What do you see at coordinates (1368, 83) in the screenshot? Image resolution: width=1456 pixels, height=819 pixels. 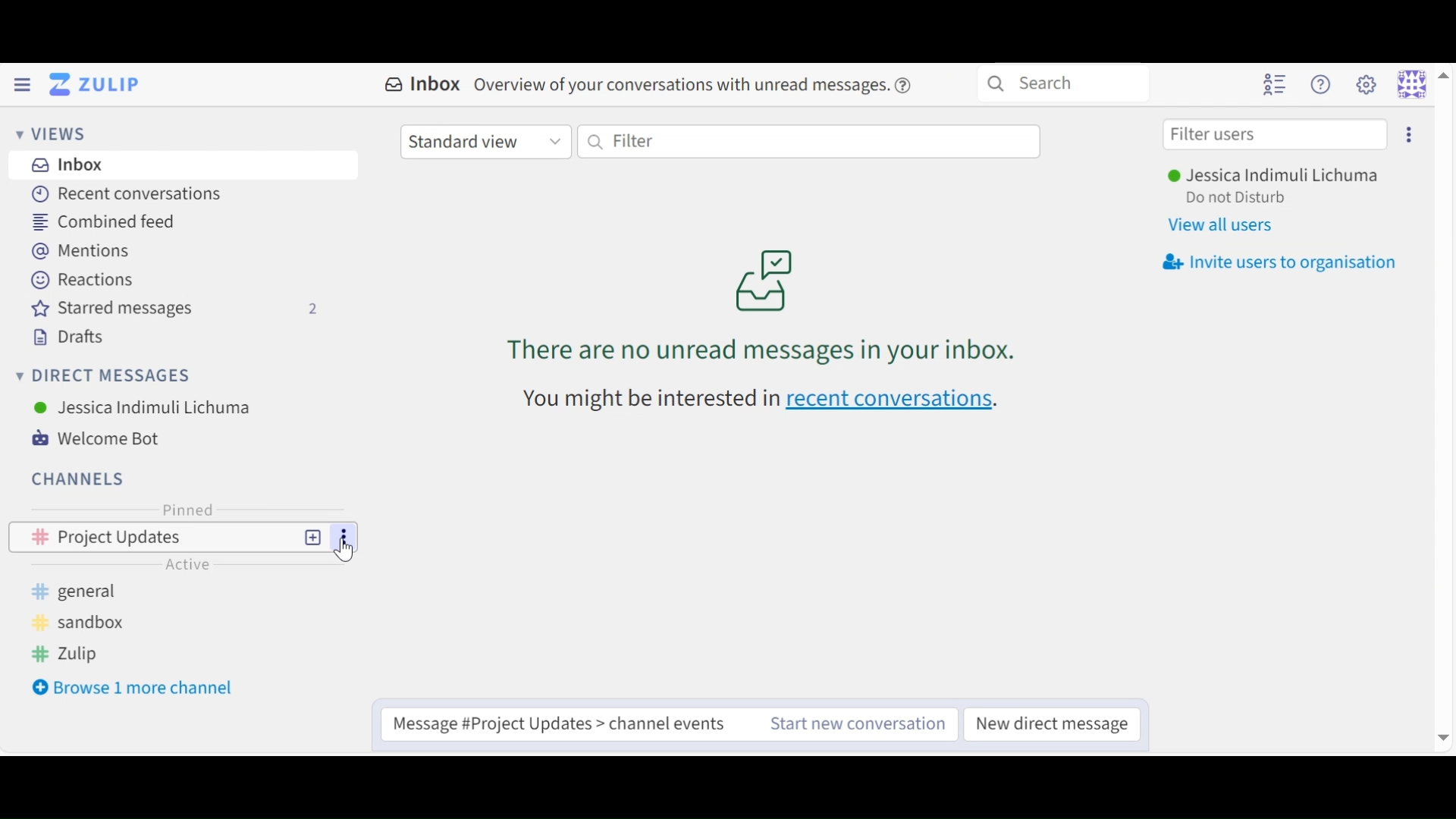 I see `Main menu` at bounding box center [1368, 83].